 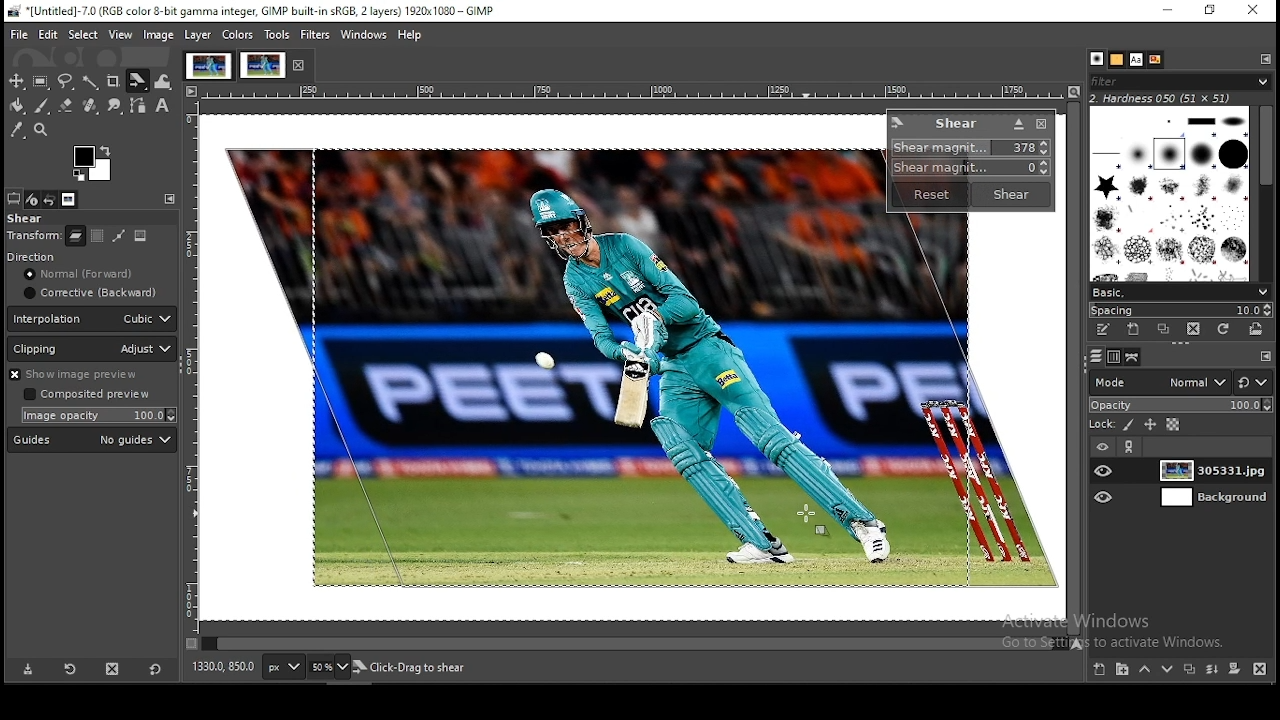 I want to click on guide, so click(x=91, y=440).